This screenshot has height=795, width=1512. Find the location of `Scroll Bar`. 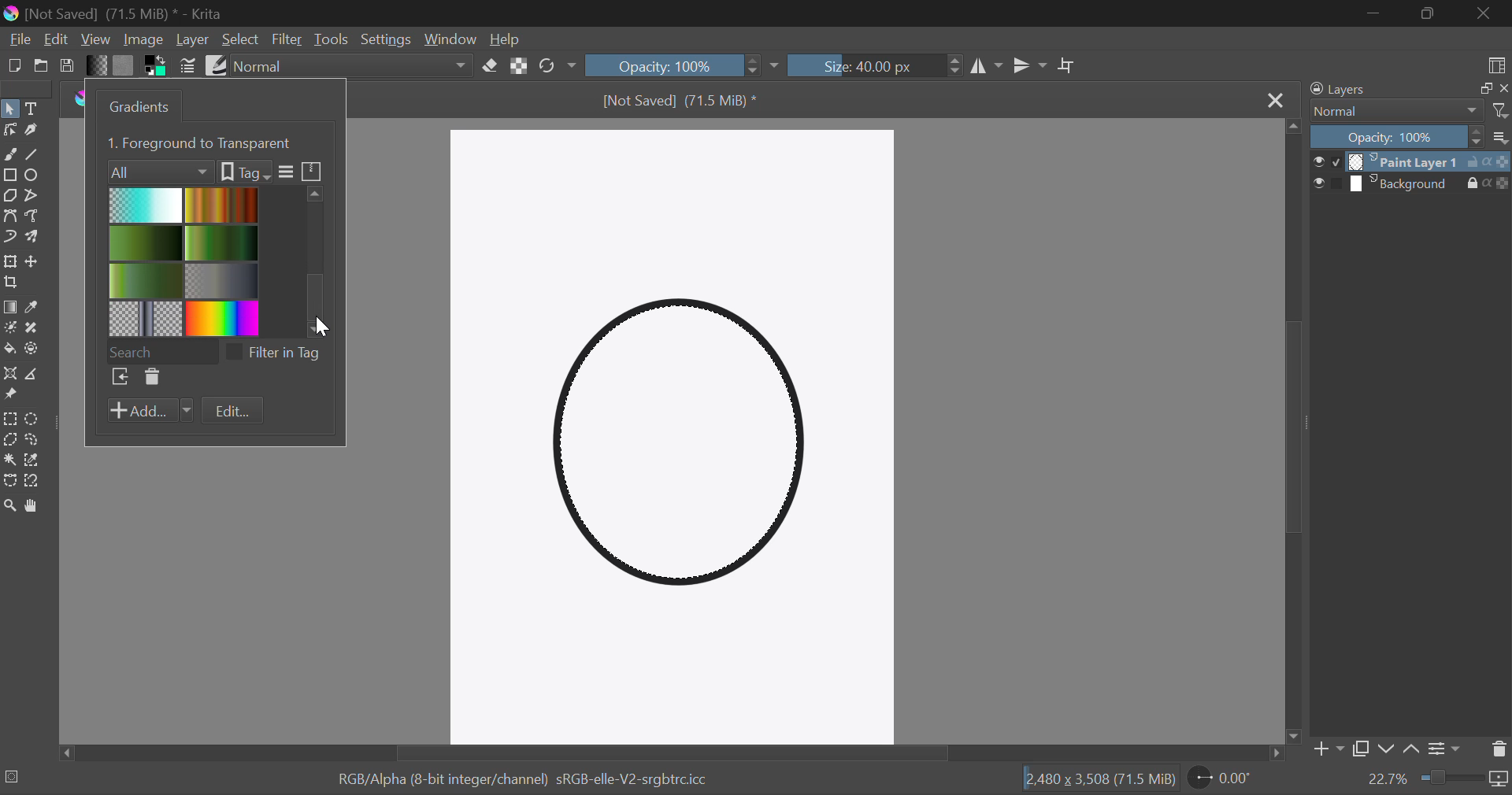

Scroll Bar is located at coordinates (670, 755).